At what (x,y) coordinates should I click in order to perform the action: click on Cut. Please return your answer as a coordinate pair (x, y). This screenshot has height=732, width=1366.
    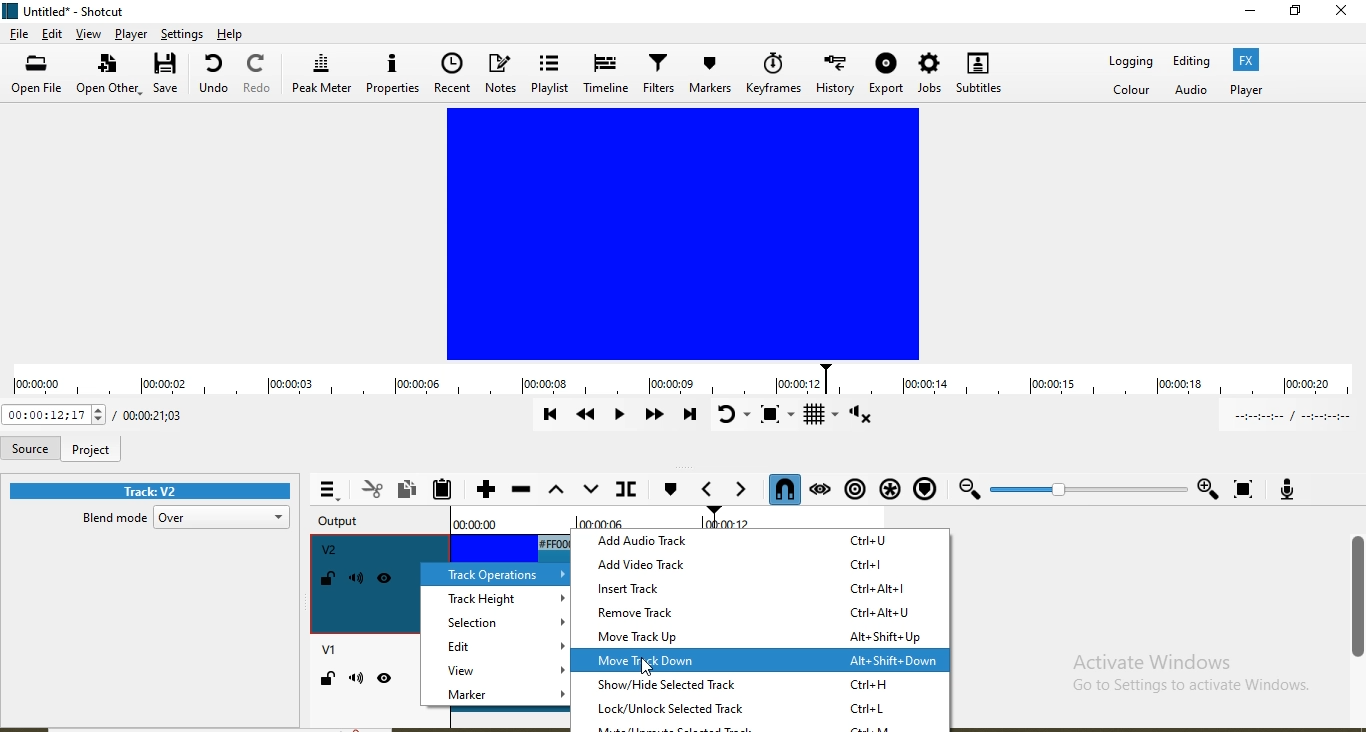
    Looking at the image, I should click on (372, 490).